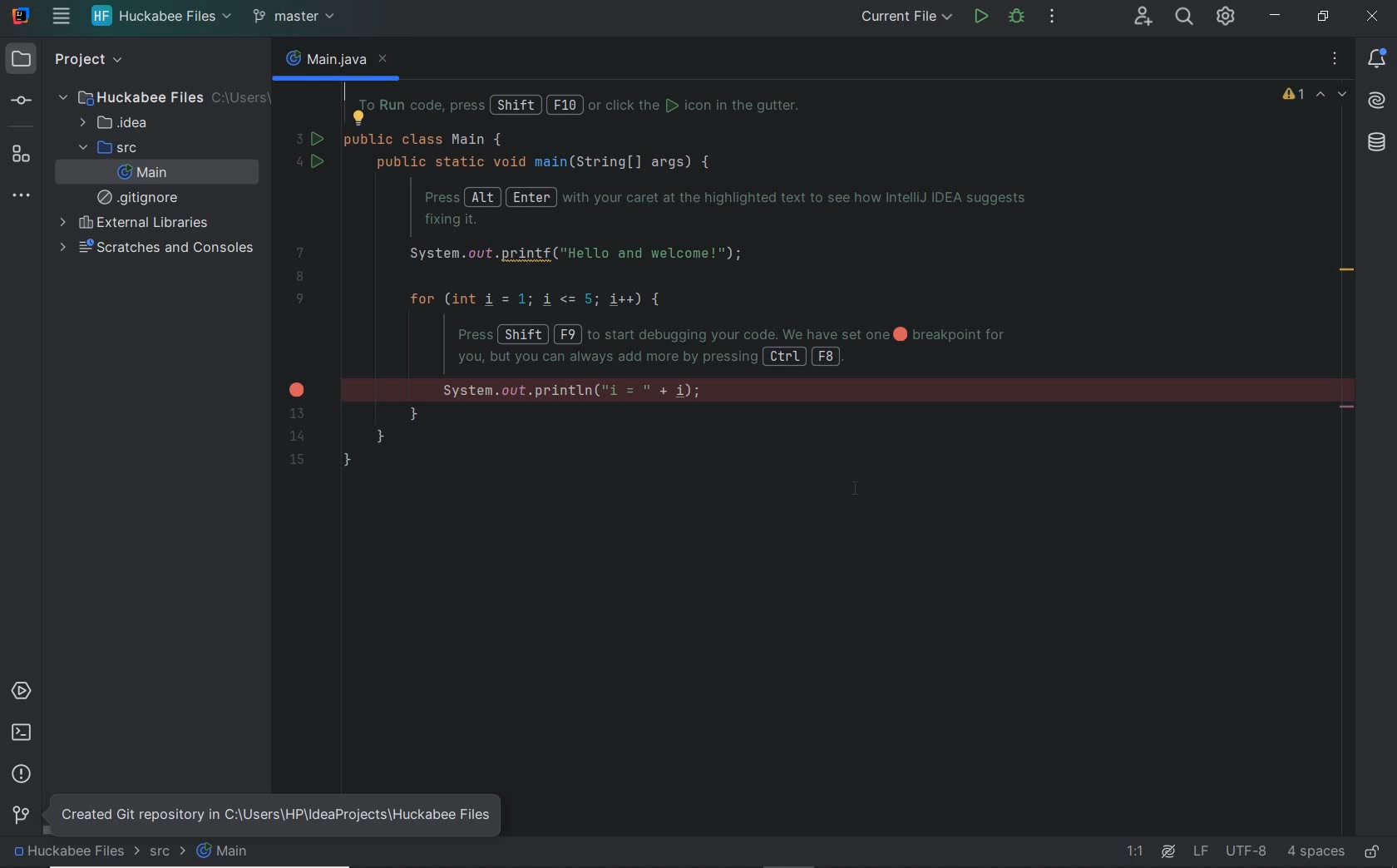 The width and height of the screenshot is (1397, 868). Describe the element at coordinates (1374, 17) in the screenshot. I see `CLOSE` at that location.